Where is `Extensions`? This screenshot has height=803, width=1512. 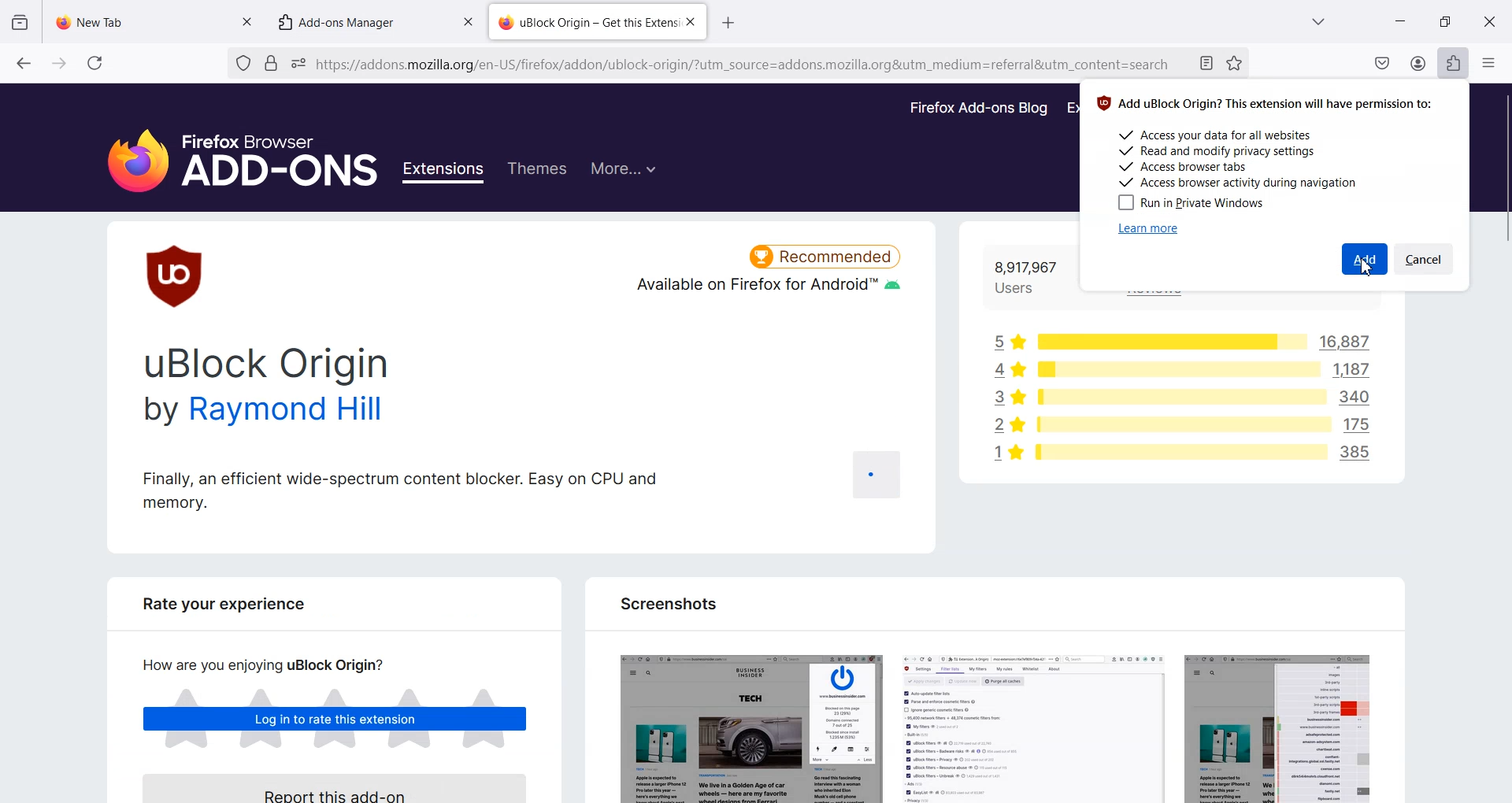 Extensions is located at coordinates (1453, 63).